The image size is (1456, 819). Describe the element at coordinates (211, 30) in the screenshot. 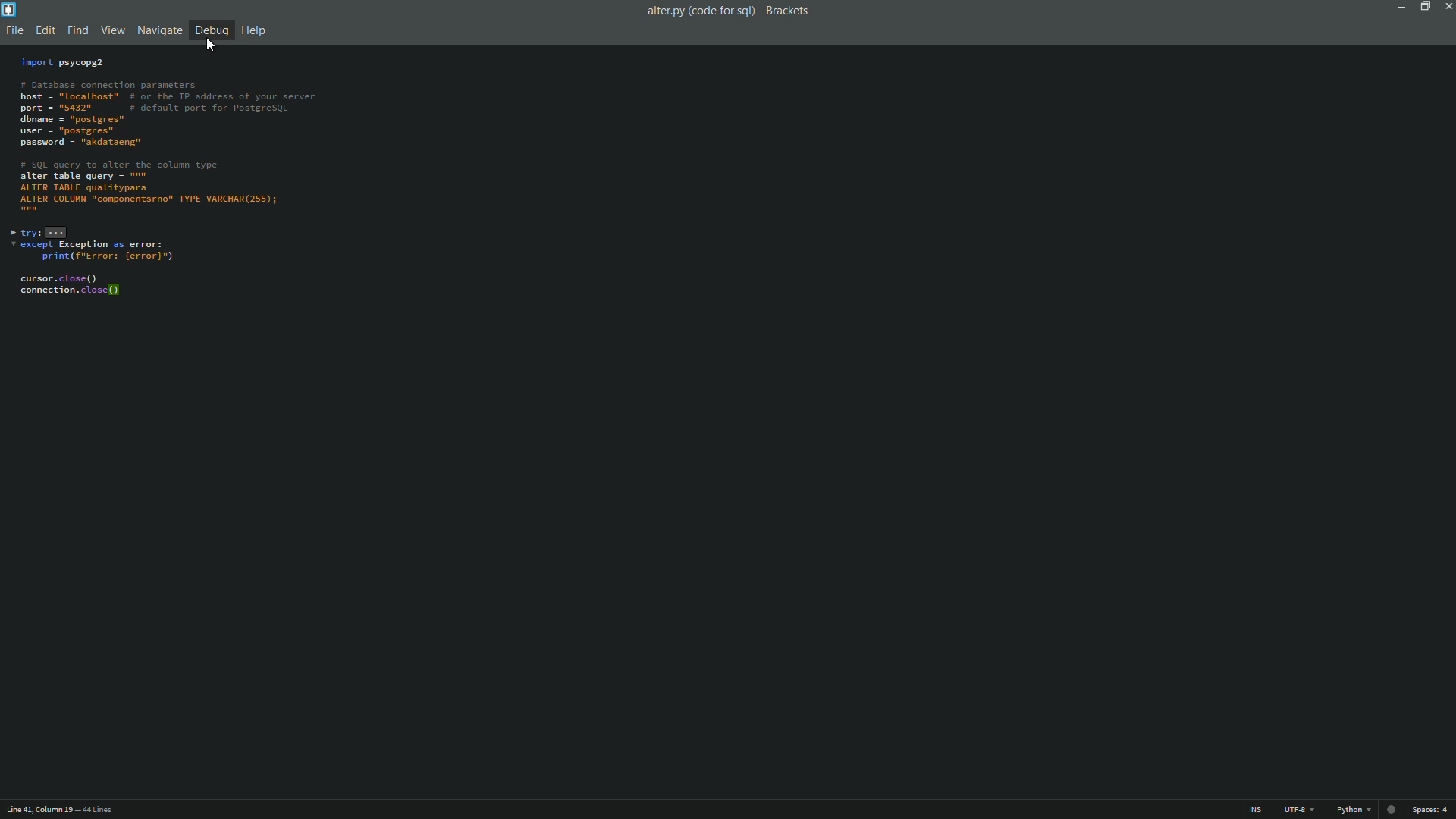

I see `debug menu` at that location.